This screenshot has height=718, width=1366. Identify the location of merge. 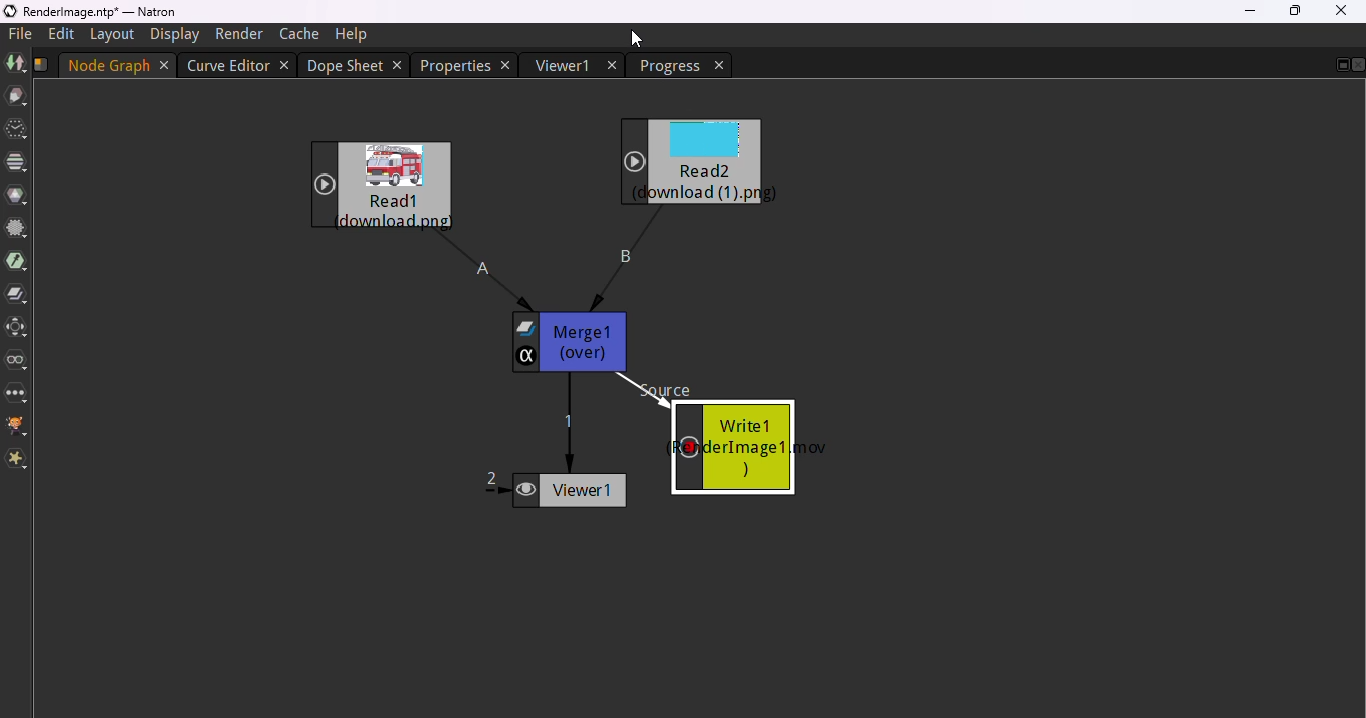
(17, 294).